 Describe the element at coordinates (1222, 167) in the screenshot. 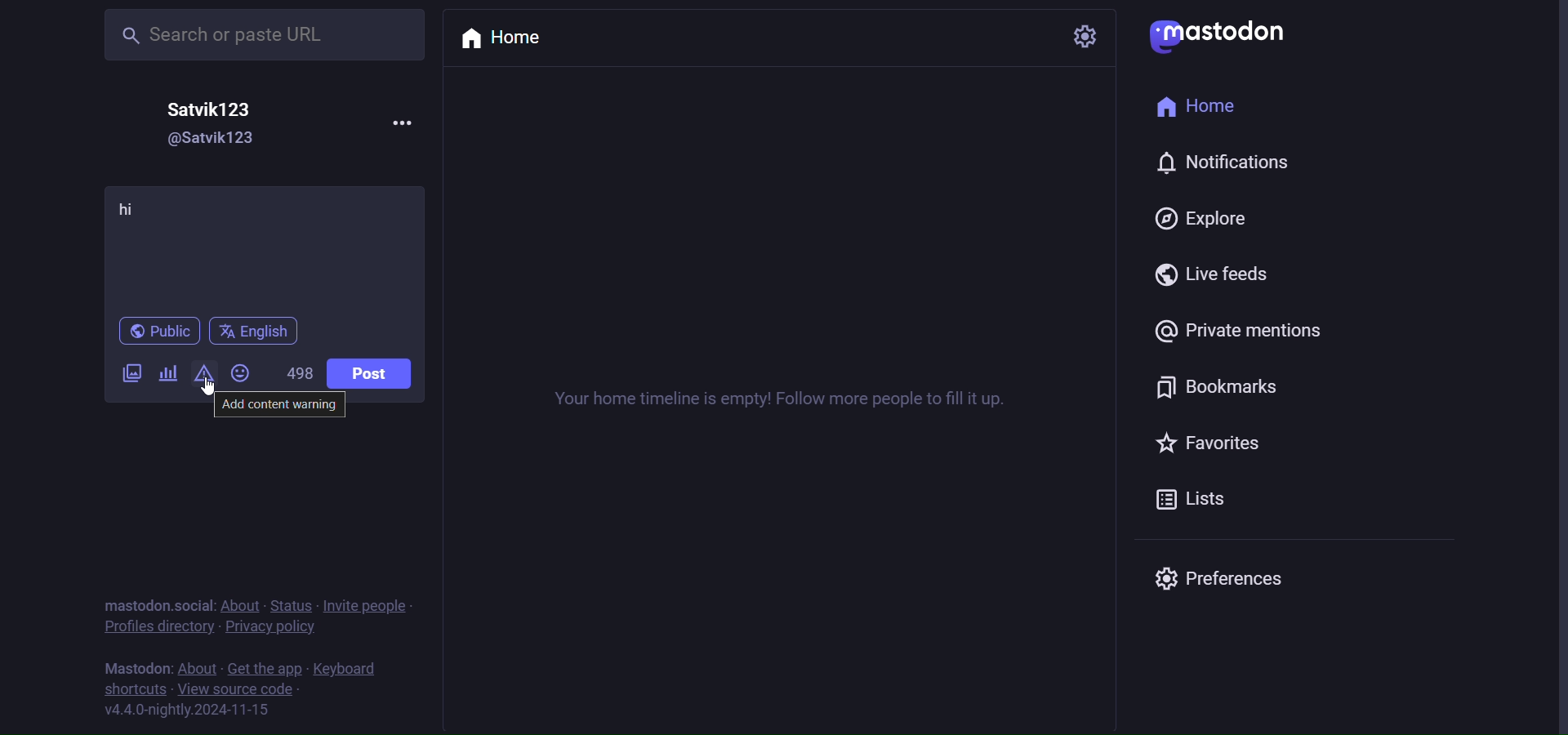

I see `notification` at that location.